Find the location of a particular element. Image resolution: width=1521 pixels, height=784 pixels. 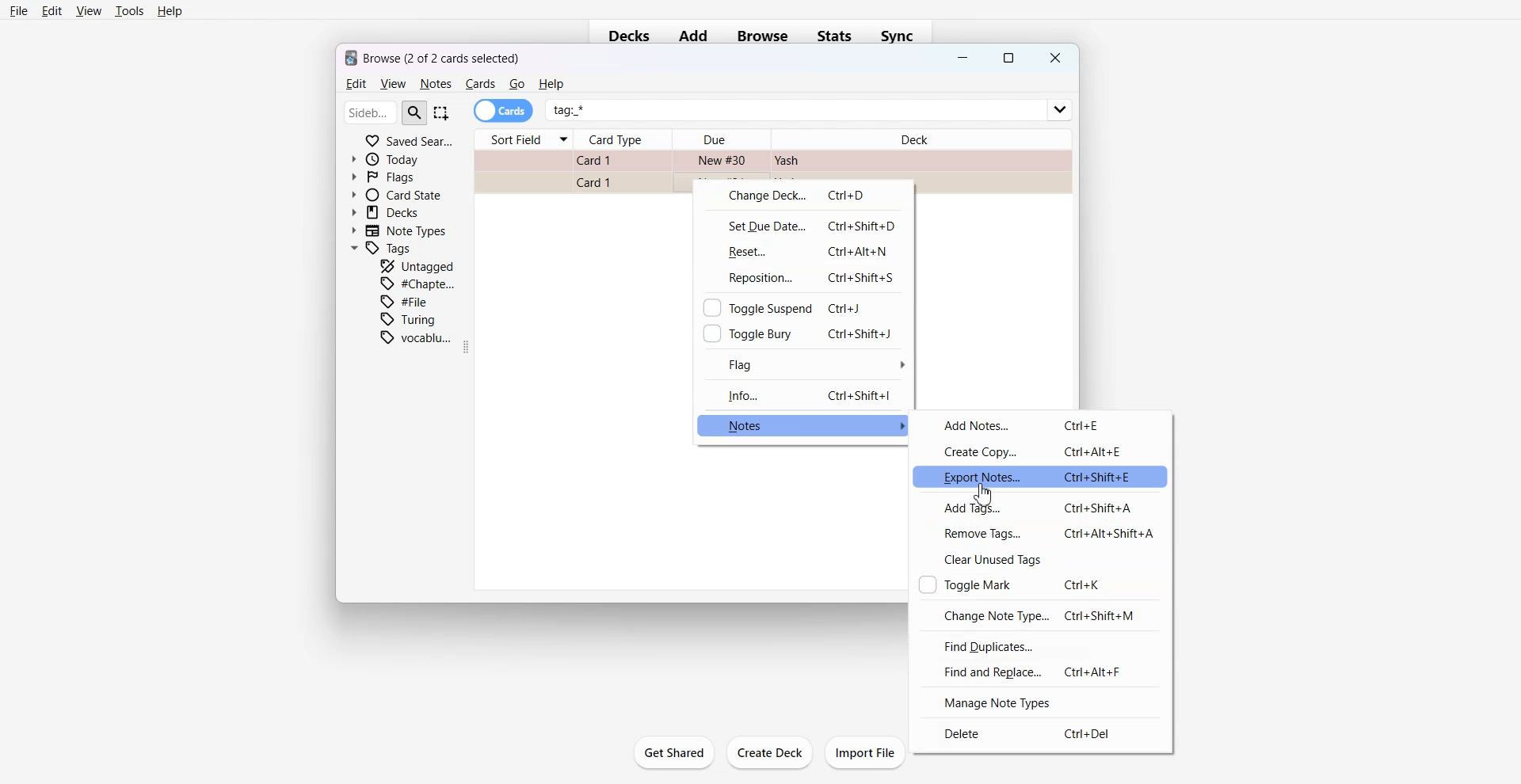

tag * is located at coordinates (810, 104).